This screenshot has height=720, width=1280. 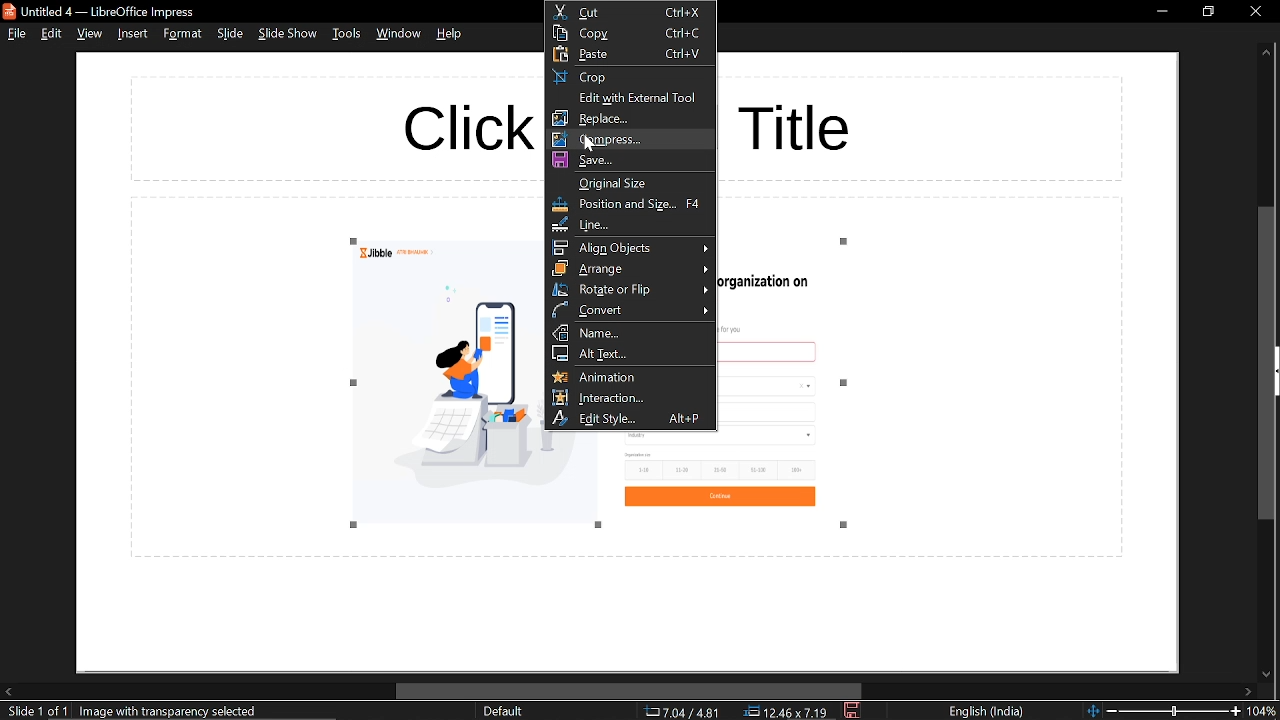 I want to click on horizontal scrollbar, so click(x=625, y=690).